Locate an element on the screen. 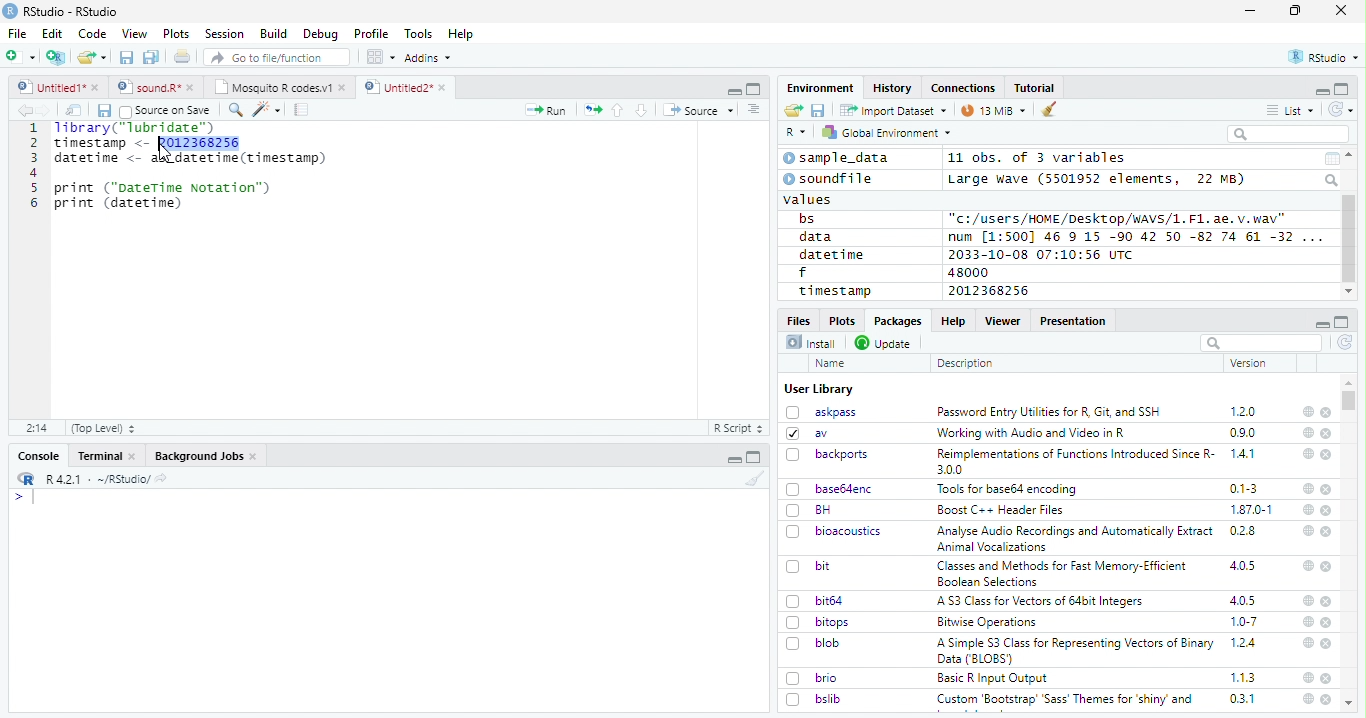 Image resolution: width=1366 pixels, height=718 pixels. Presentation is located at coordinates (1074, 321).